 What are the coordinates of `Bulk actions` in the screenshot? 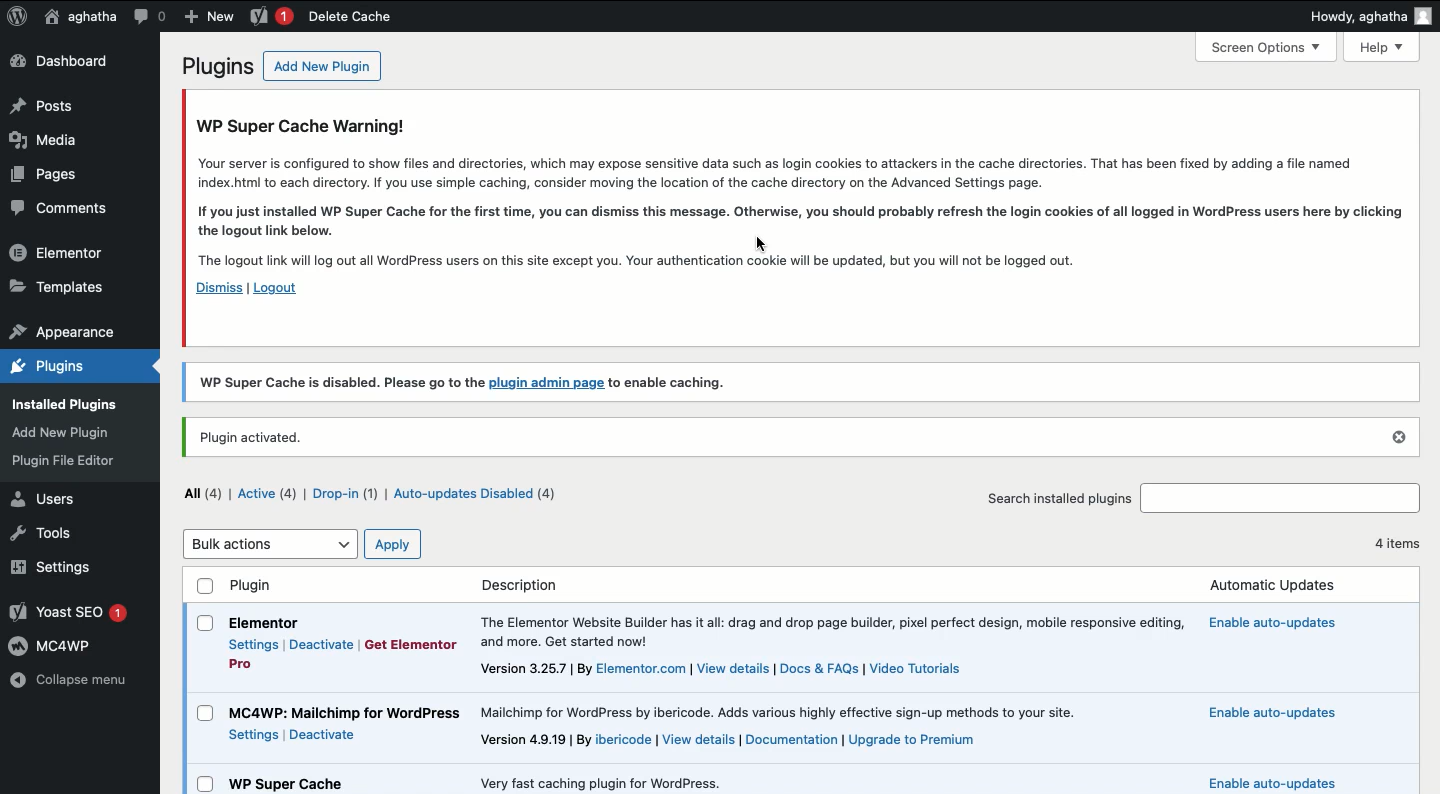 It's located at (269, 543).